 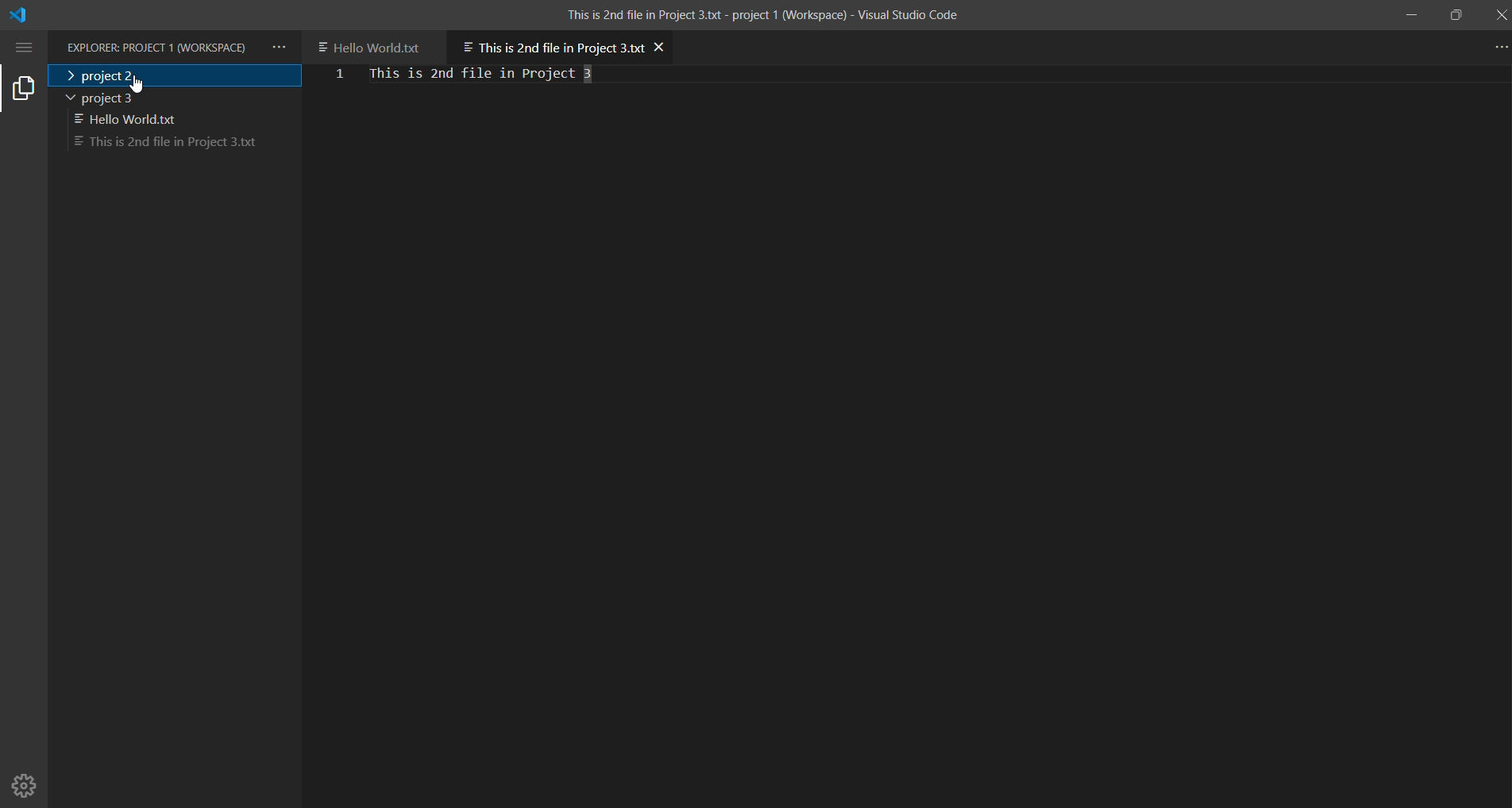 What do you see at coordinates (1457, 15) in the screenshot?
I see `maximize` at bounding box center [1457, 15].